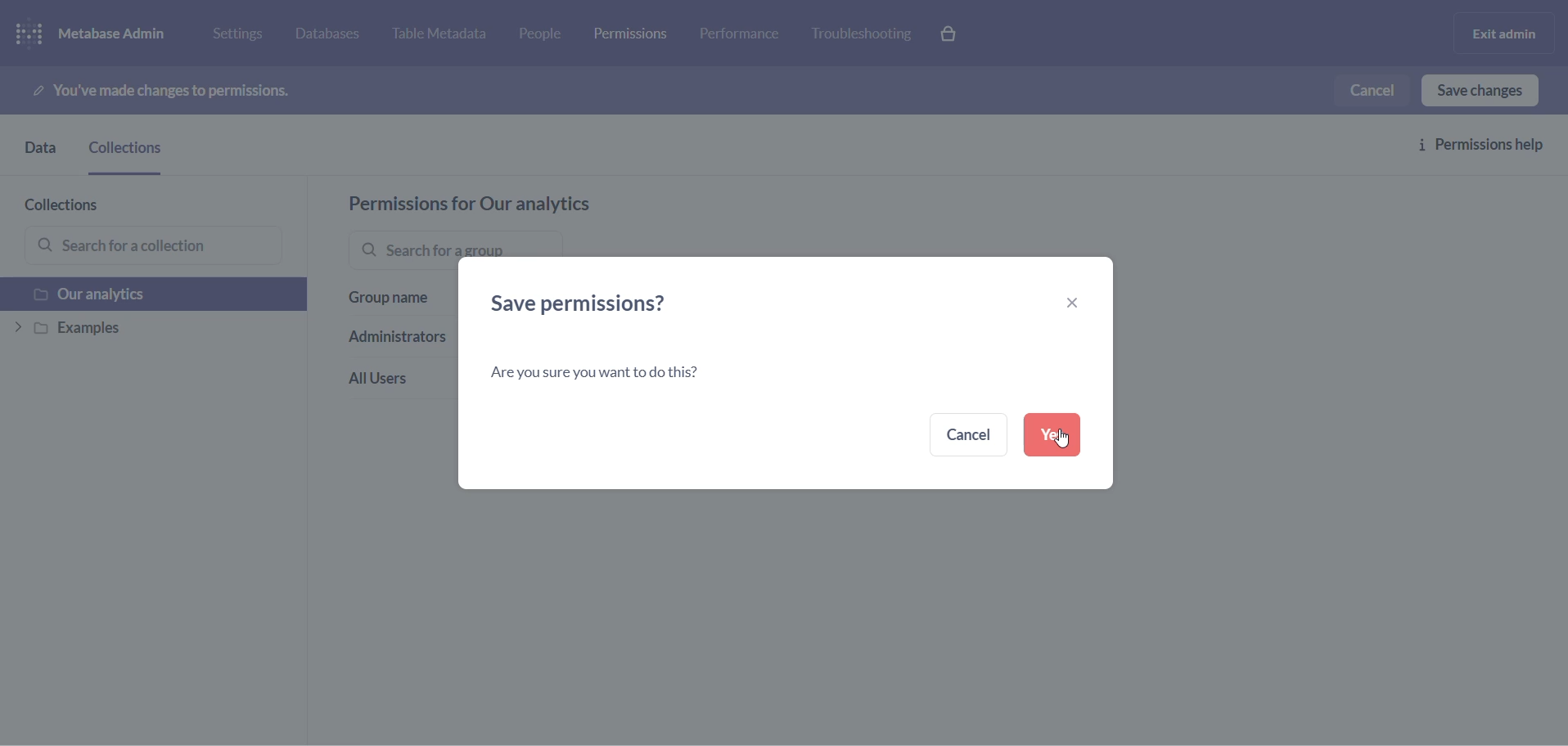 The width and height of the screenshot is (1568, 746). I want to click on table metadata, so click(447, 36).